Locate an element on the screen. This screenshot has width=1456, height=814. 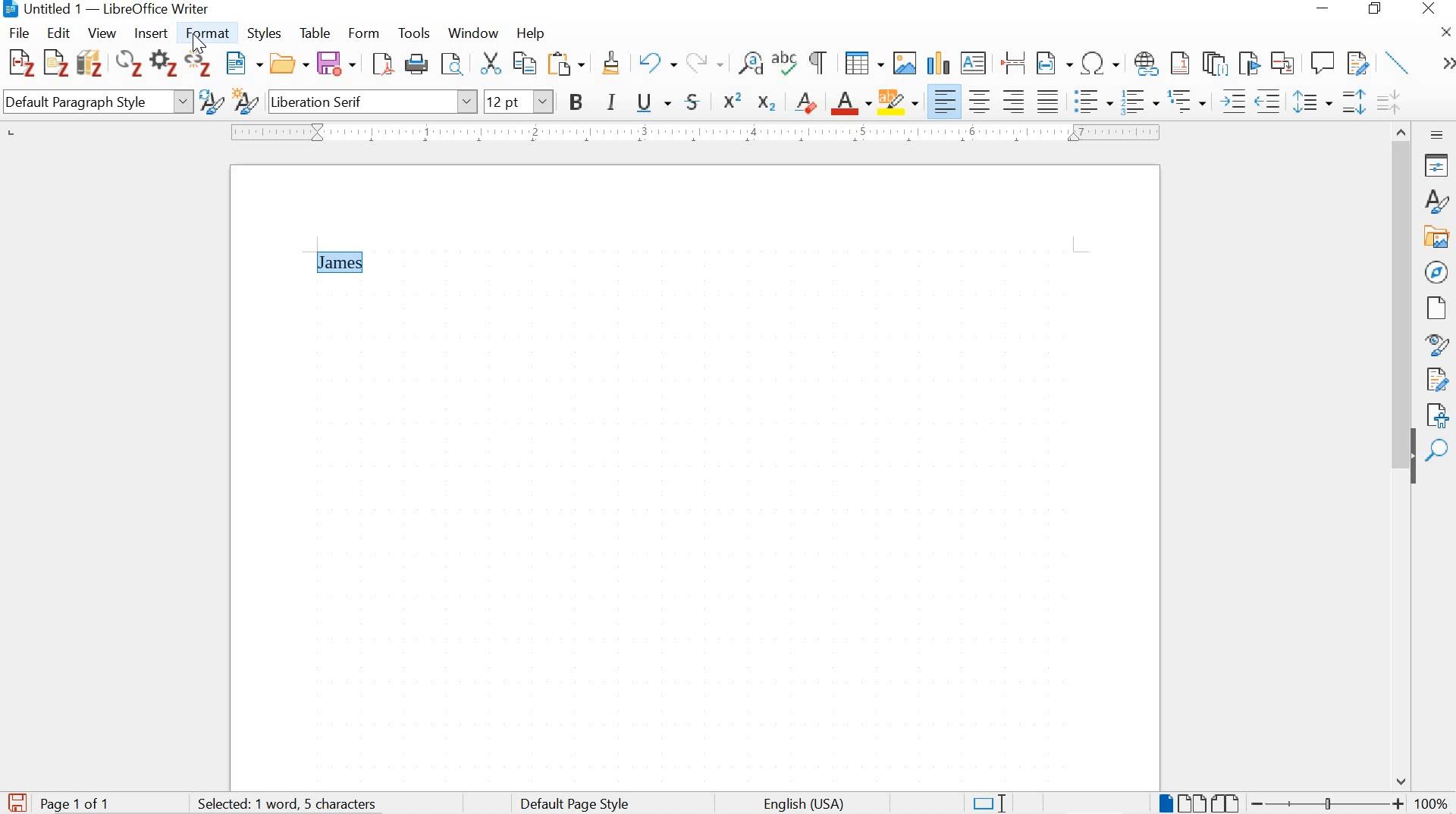
toggle ordered list is located at coordinates (1138, 102).